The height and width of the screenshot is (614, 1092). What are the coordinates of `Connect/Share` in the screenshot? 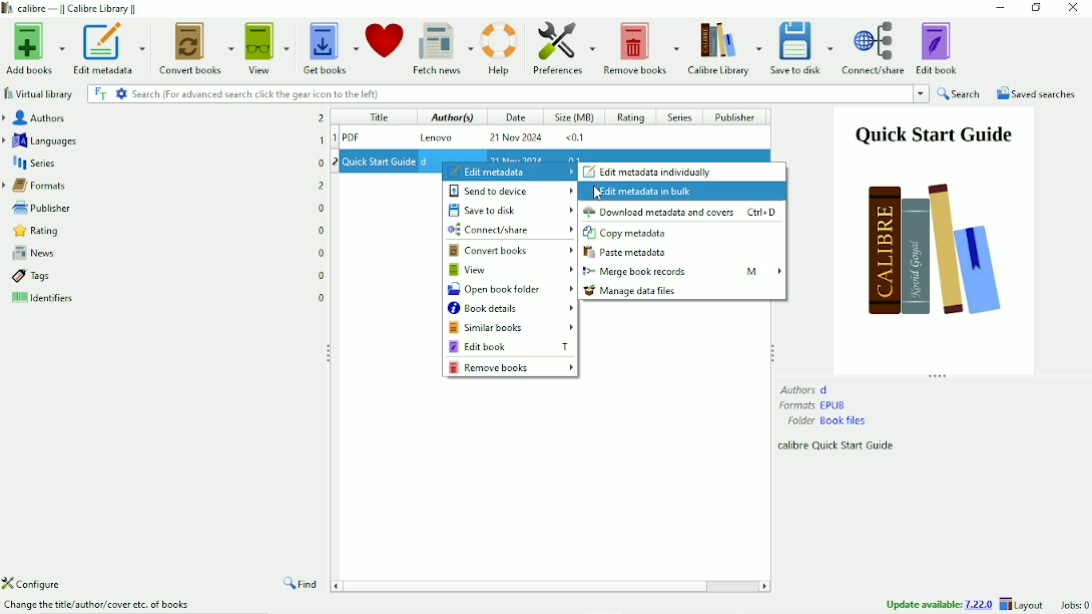 It's located at (510, 229).